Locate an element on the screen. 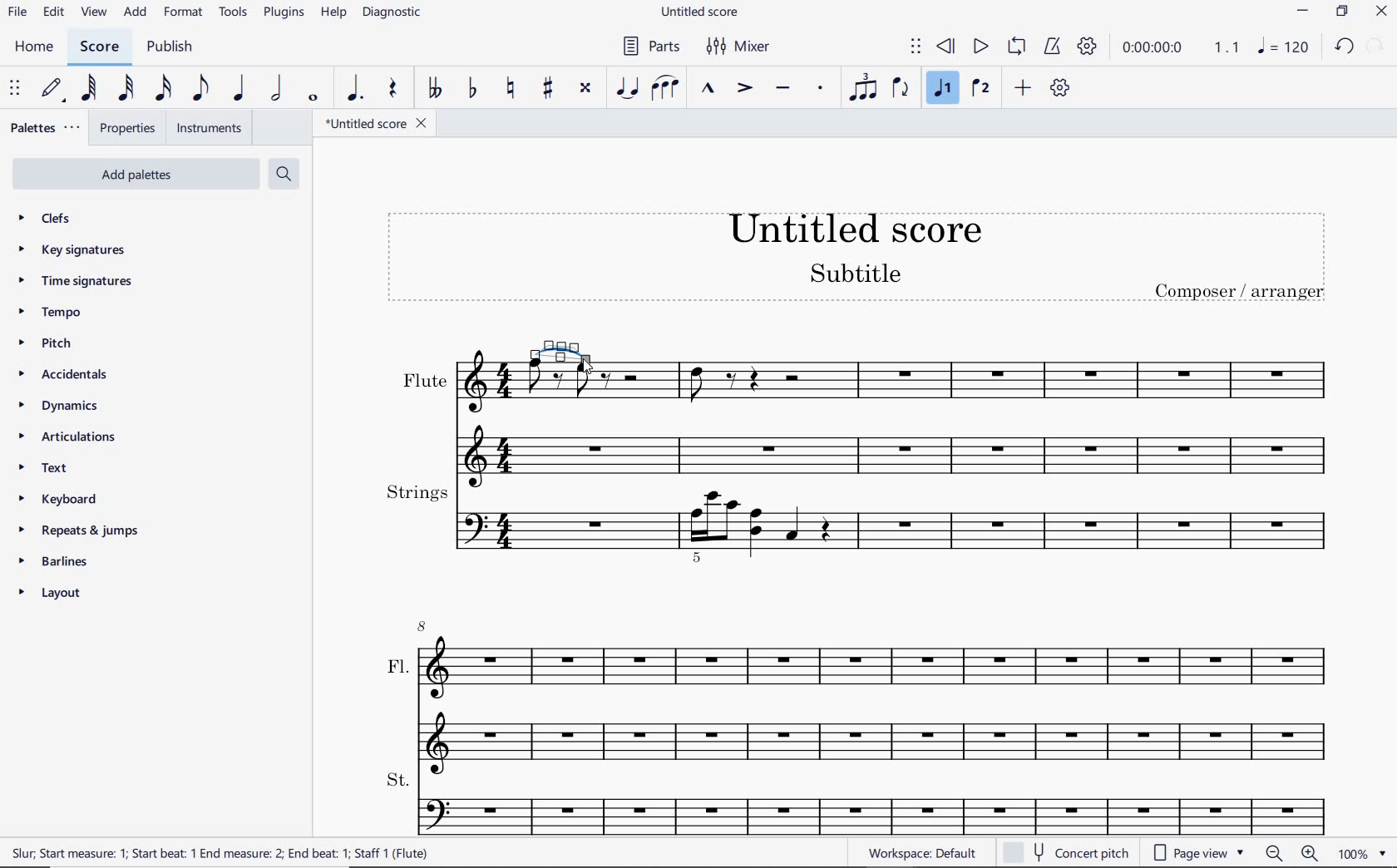 The width and height of the screenshot is (1397, 868). METRONOME is located at coordinates (1052, 47).